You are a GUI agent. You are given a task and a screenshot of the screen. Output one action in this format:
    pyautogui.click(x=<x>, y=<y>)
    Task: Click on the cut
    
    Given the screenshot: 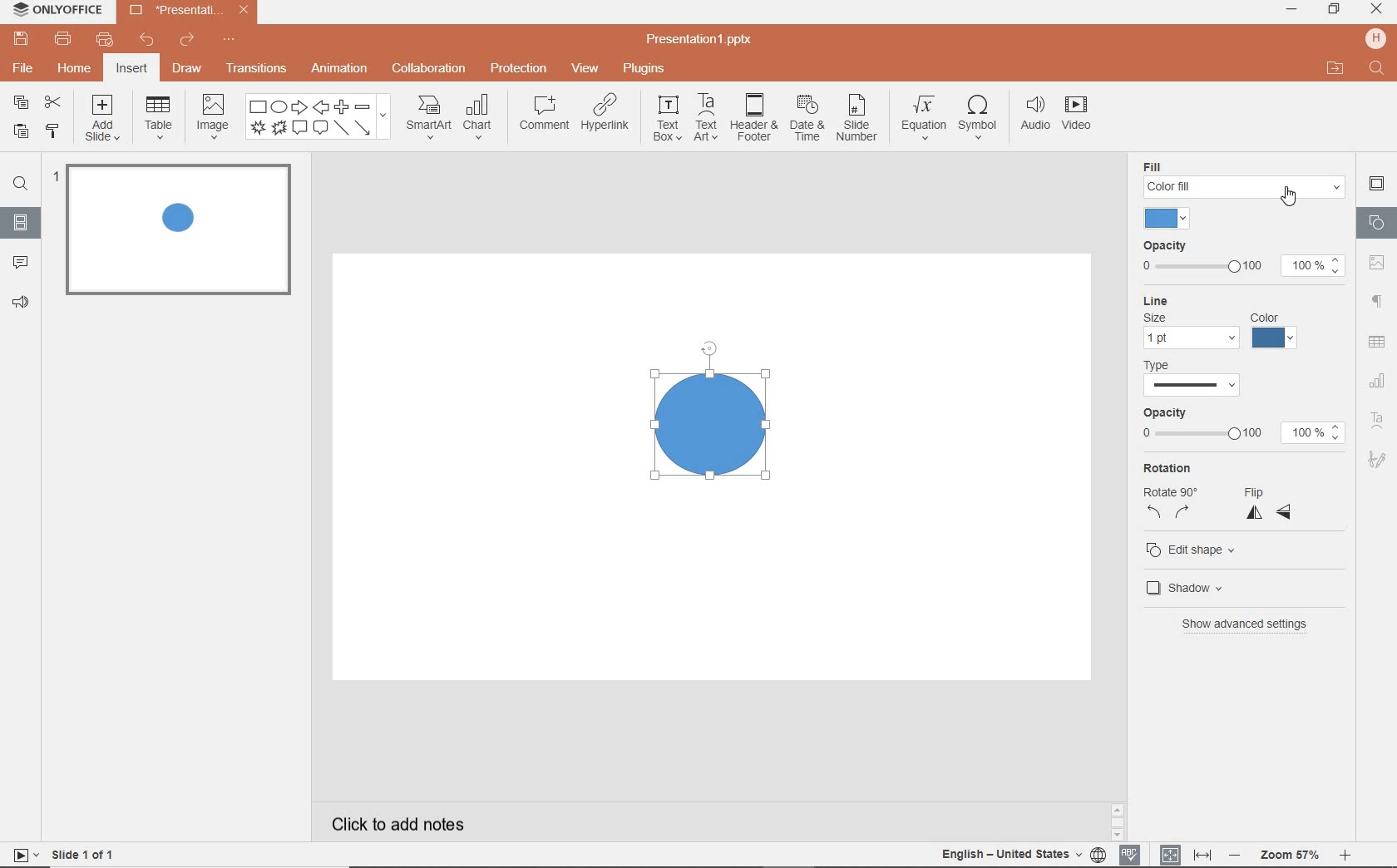 What is the action you would take?
    pyautogui.click(x=52, y=102)
    